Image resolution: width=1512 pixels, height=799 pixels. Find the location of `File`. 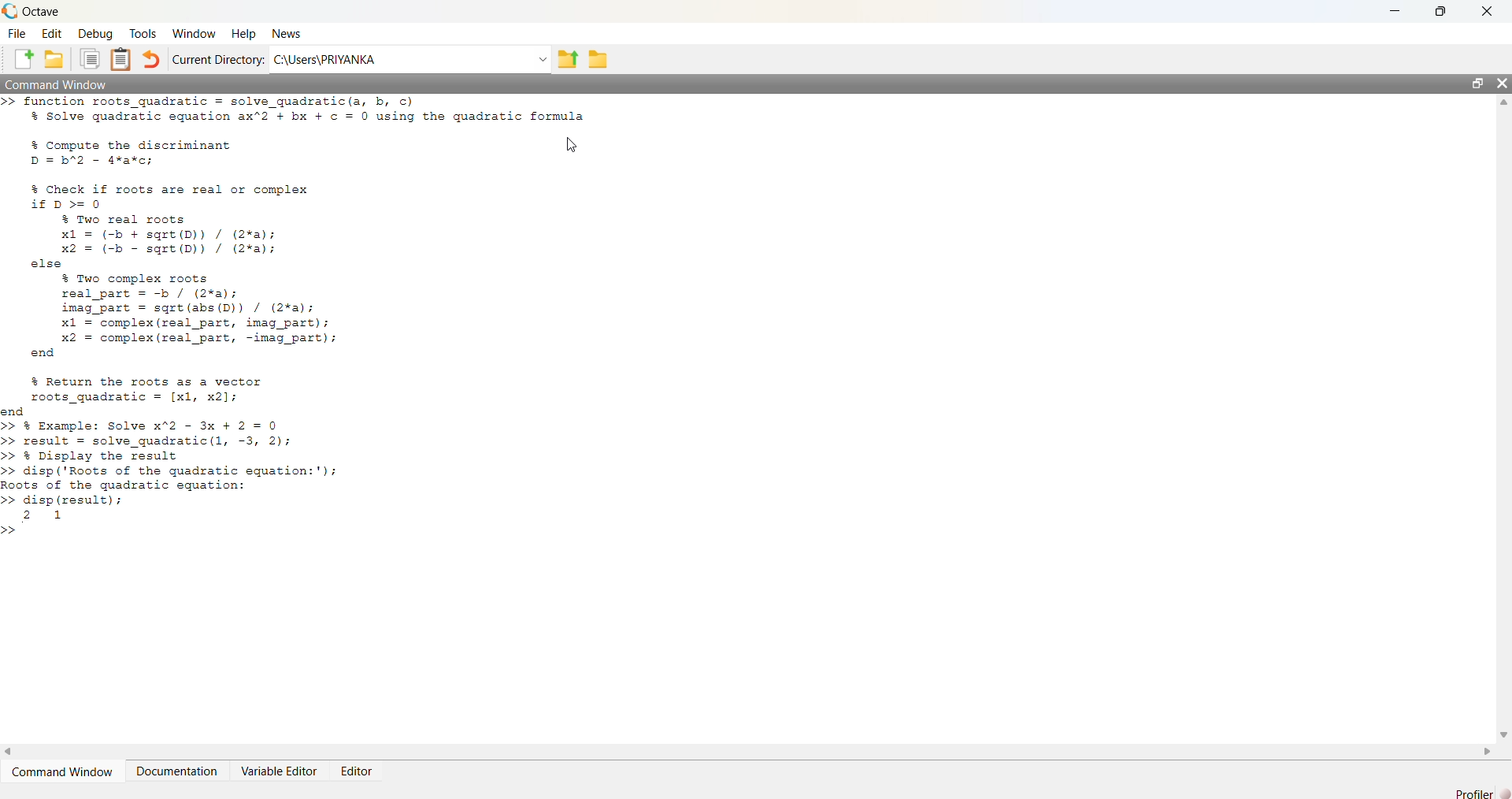

File is located at coordinates (17, 32).